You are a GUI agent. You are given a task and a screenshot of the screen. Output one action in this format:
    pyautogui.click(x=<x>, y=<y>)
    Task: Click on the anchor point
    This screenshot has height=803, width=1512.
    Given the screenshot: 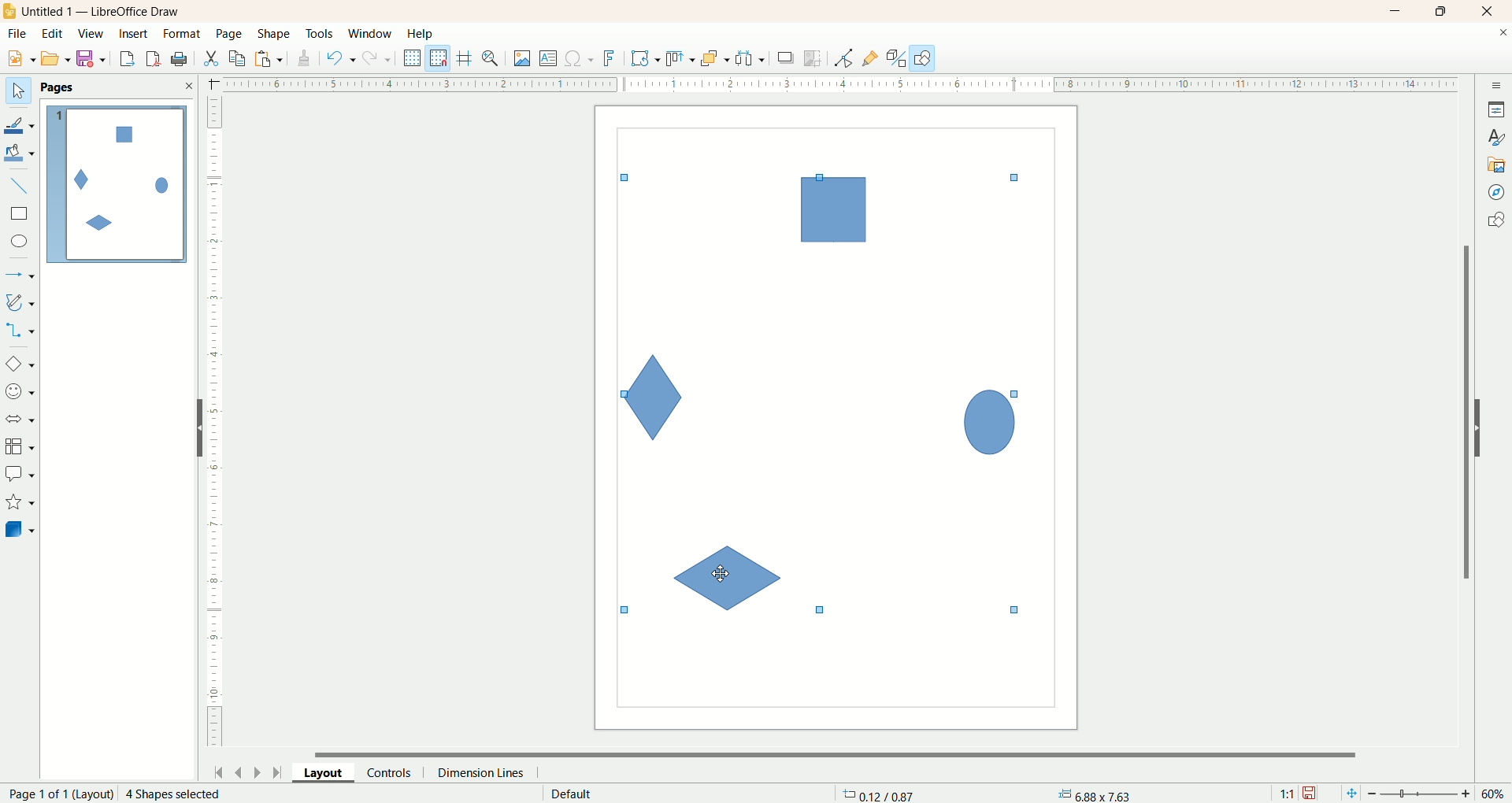 What is the action you would take?
    pyautogui.click(x=1092, y=794)
    